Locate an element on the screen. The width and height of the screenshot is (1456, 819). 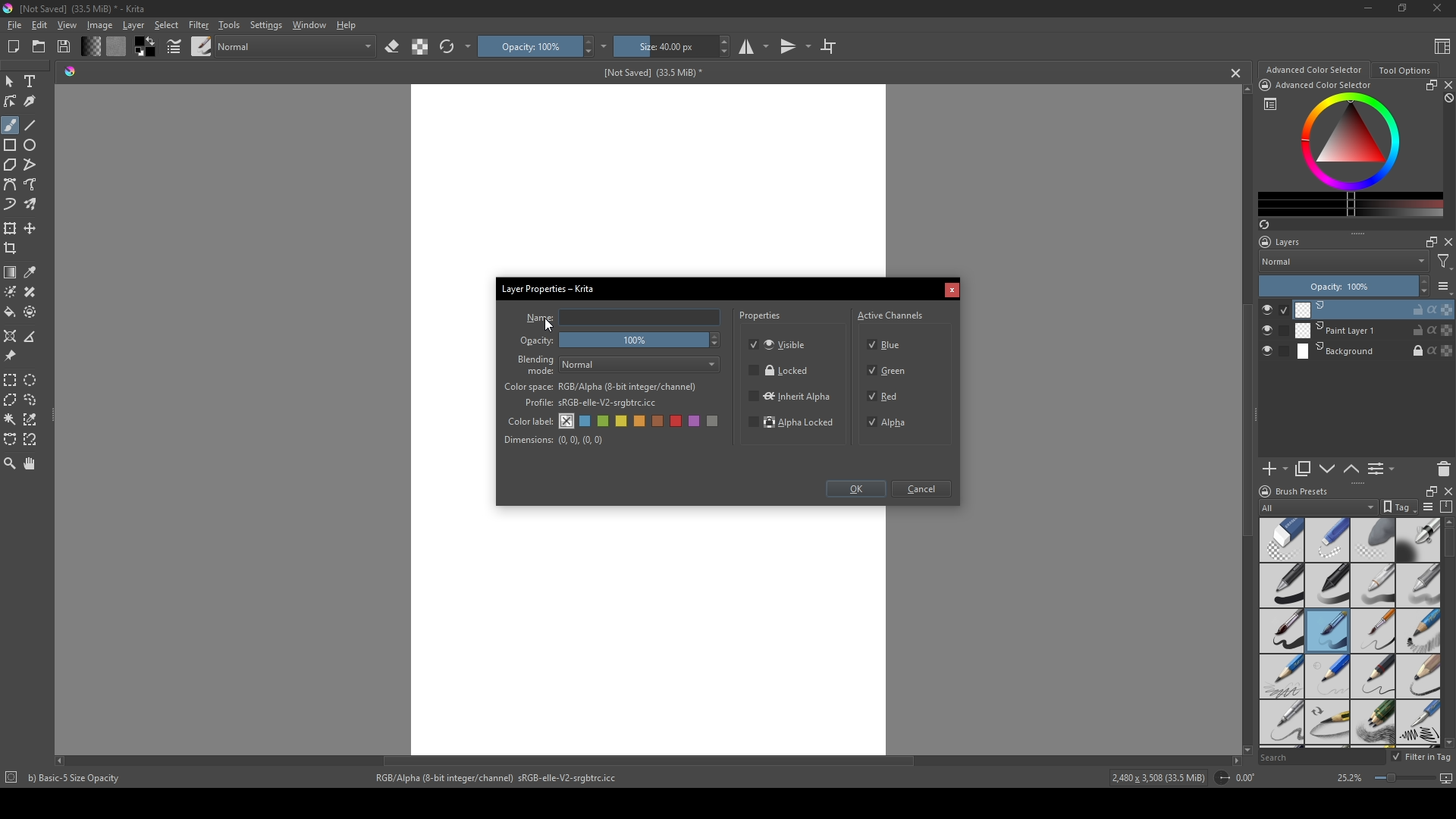
Layers is located at coordinates (1284, 242).